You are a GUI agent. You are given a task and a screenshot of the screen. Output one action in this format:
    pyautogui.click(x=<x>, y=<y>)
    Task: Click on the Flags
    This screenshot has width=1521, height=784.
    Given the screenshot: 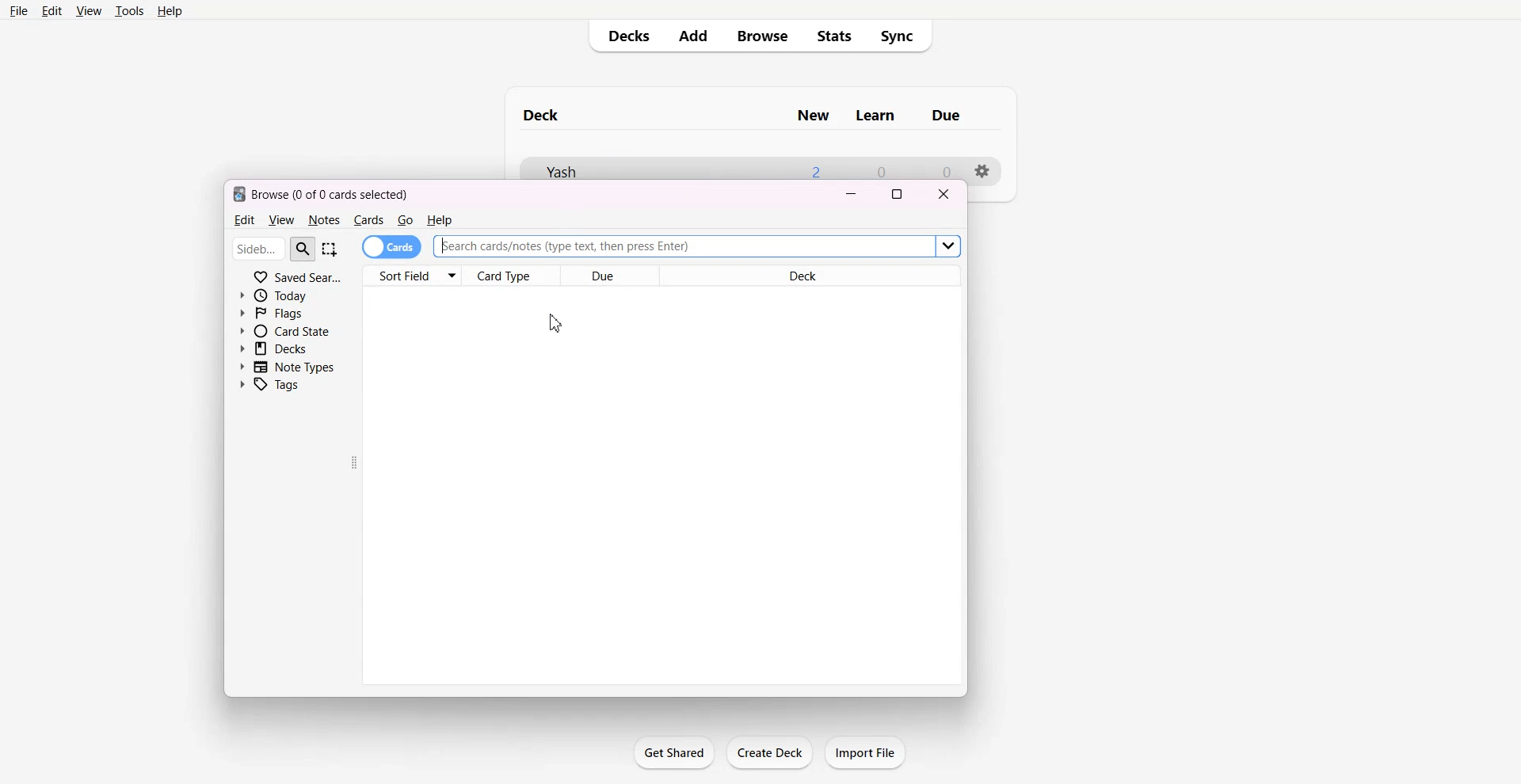 What is the action you would take?
    pyautogui.click(x=282, y=314)
    